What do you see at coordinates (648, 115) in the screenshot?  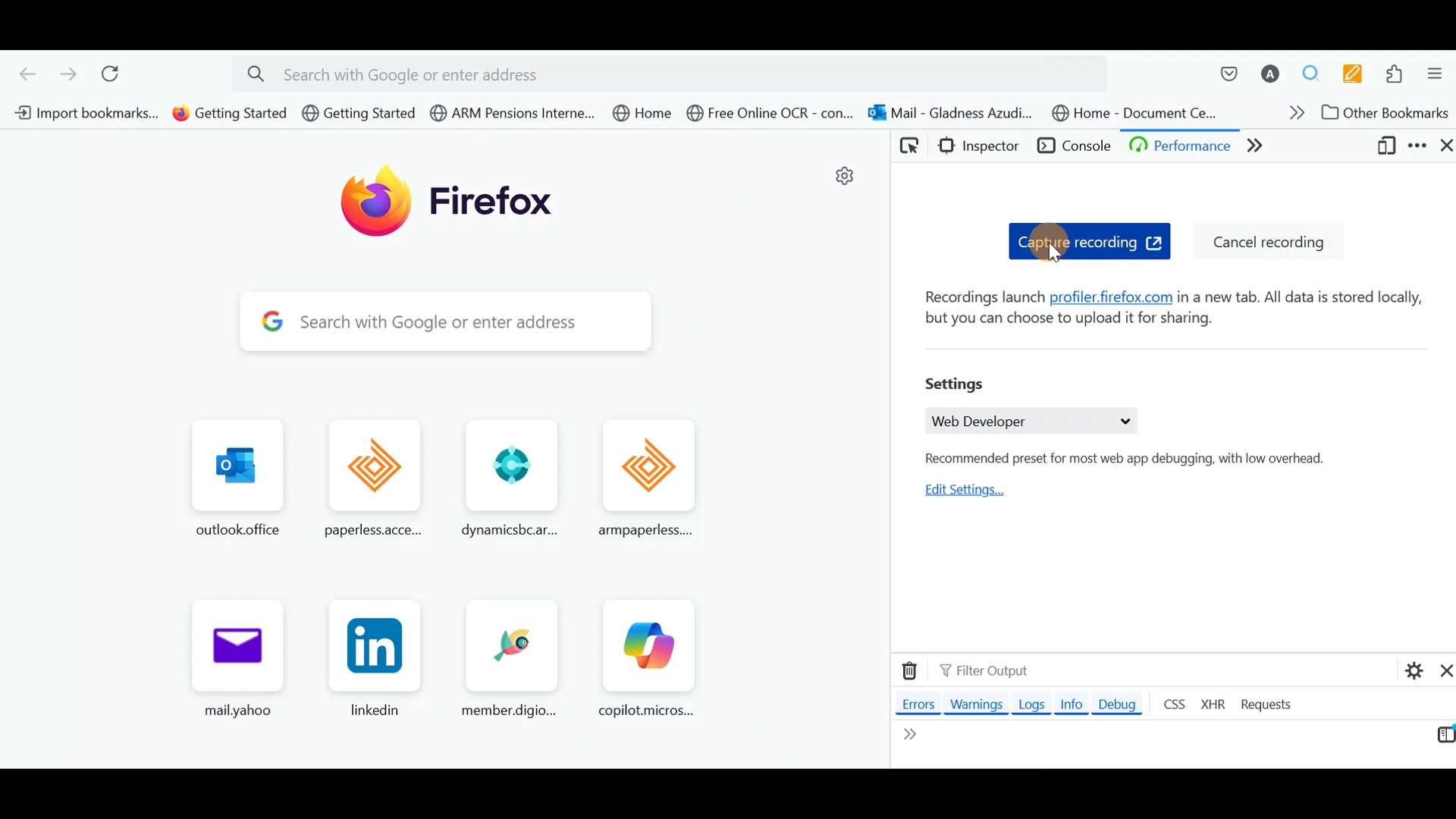 I see `Bookmark 5` at bounding box center [648, 115].